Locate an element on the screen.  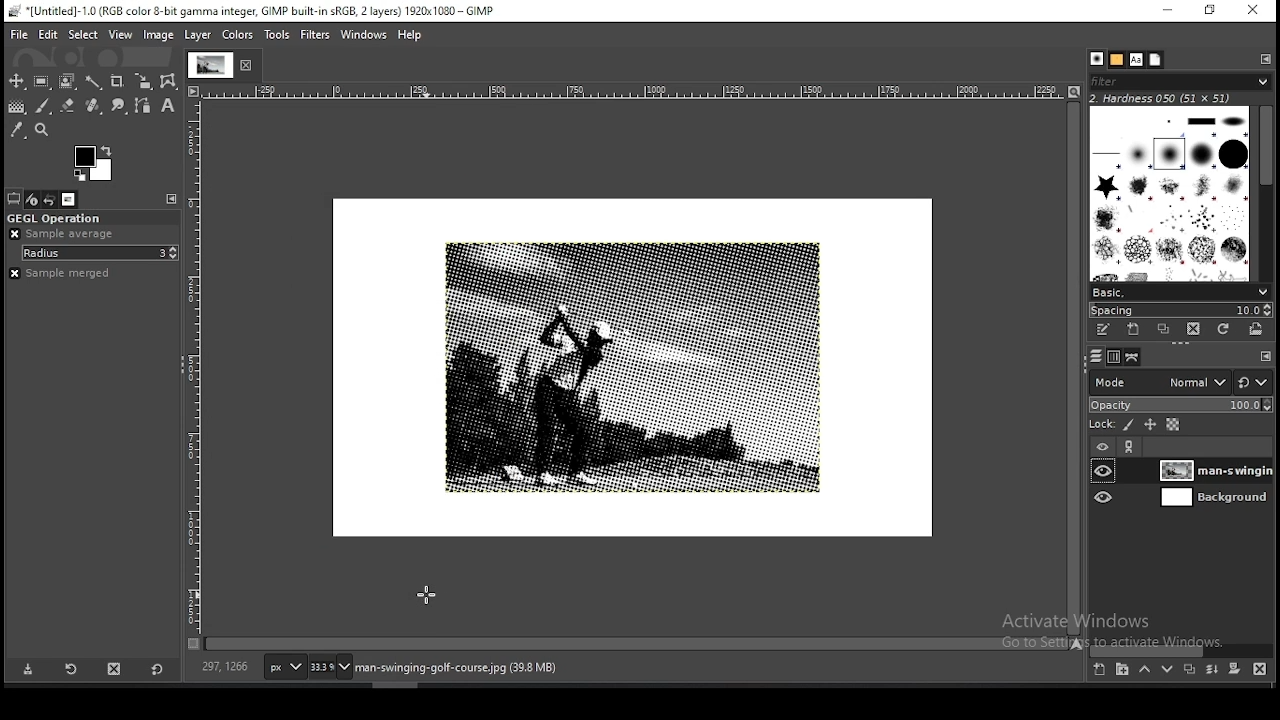
blend mode is located at coordinates (1157, 382).